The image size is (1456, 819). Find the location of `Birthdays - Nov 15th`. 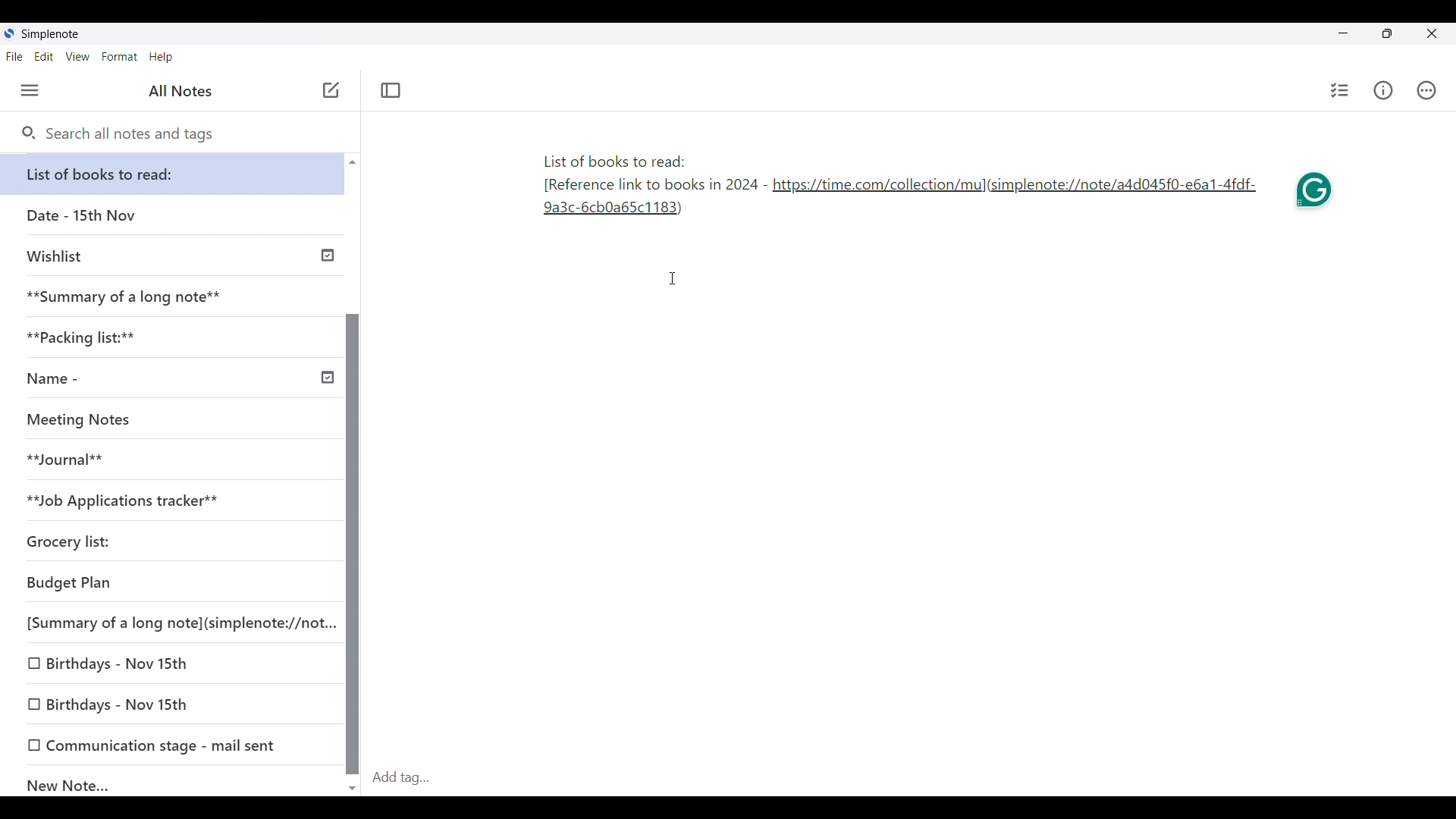

Birthdays - Nov 15th is located at coordinates (171, 664).